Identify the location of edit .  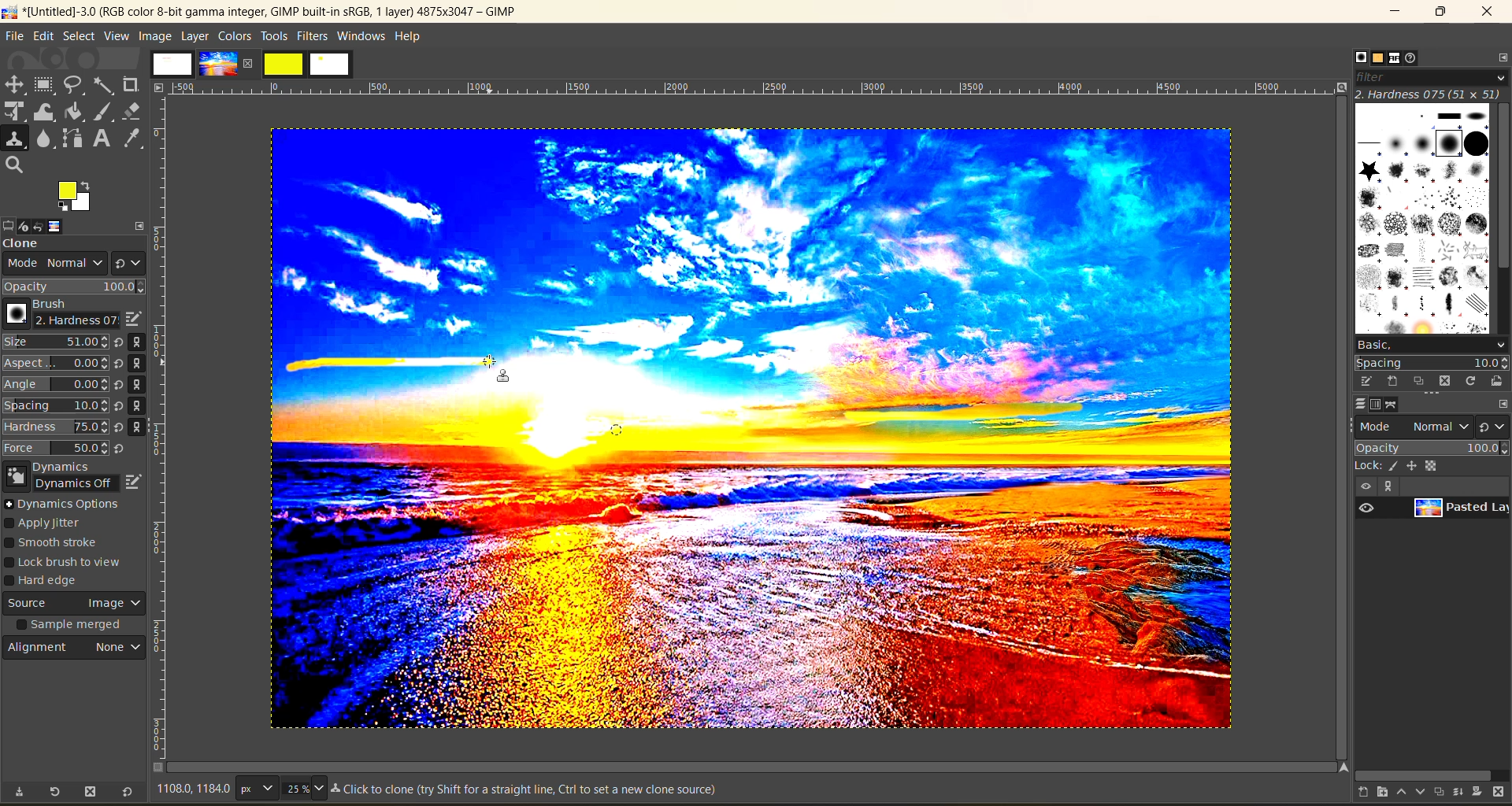
(132, 319).